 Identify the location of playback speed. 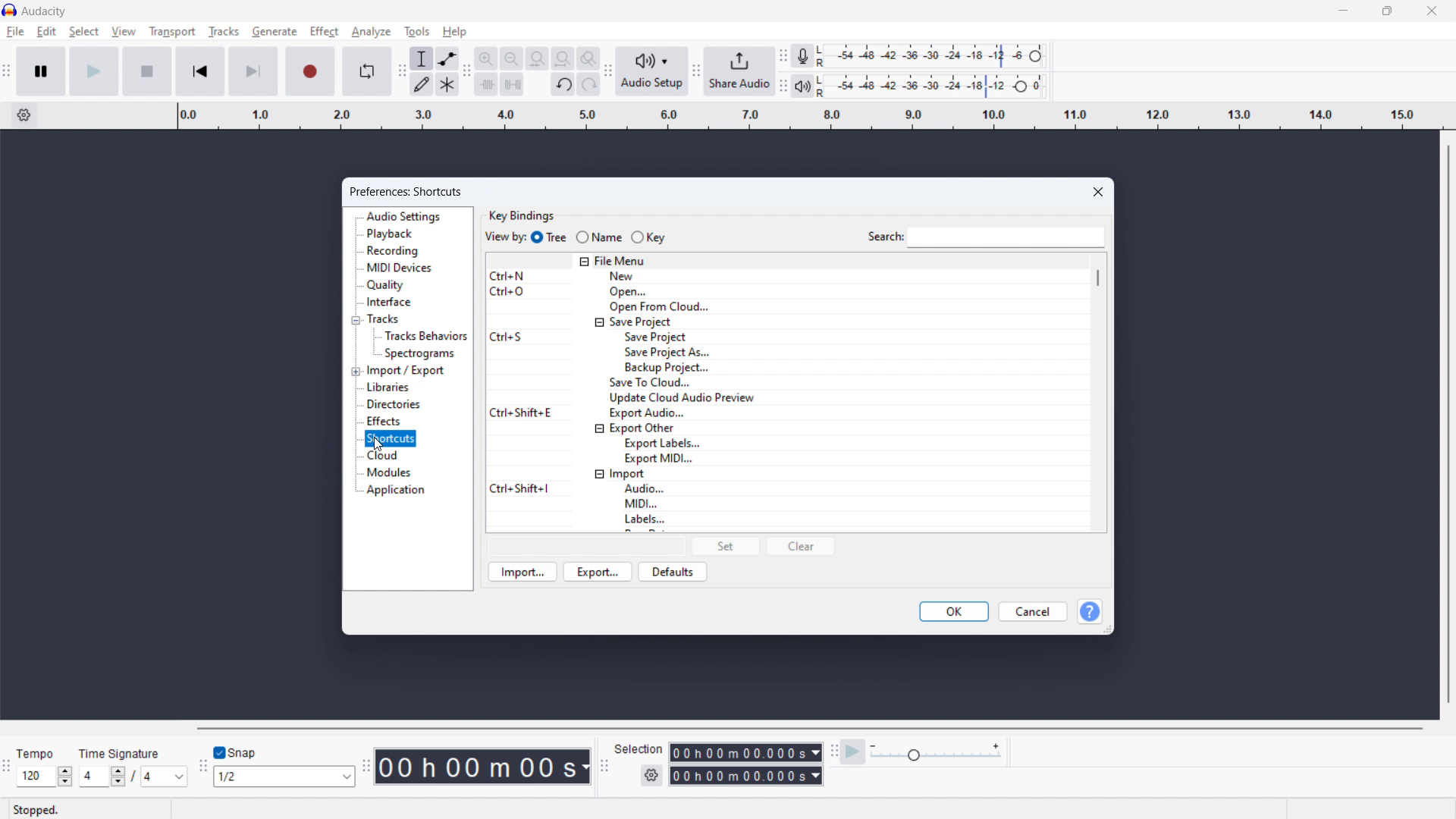
(936, 753).